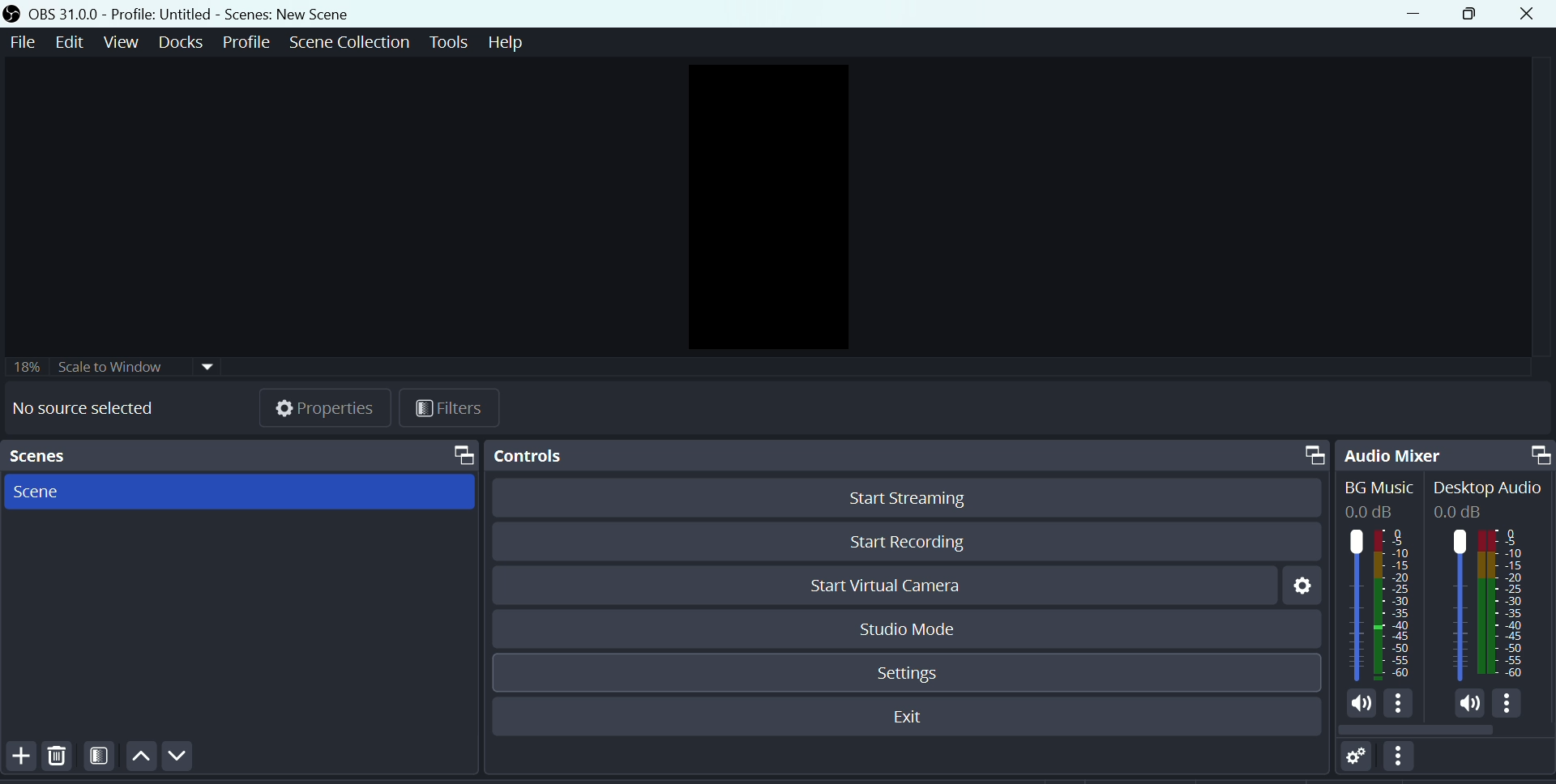  I want to click on Maximise, so click(1474, 16).